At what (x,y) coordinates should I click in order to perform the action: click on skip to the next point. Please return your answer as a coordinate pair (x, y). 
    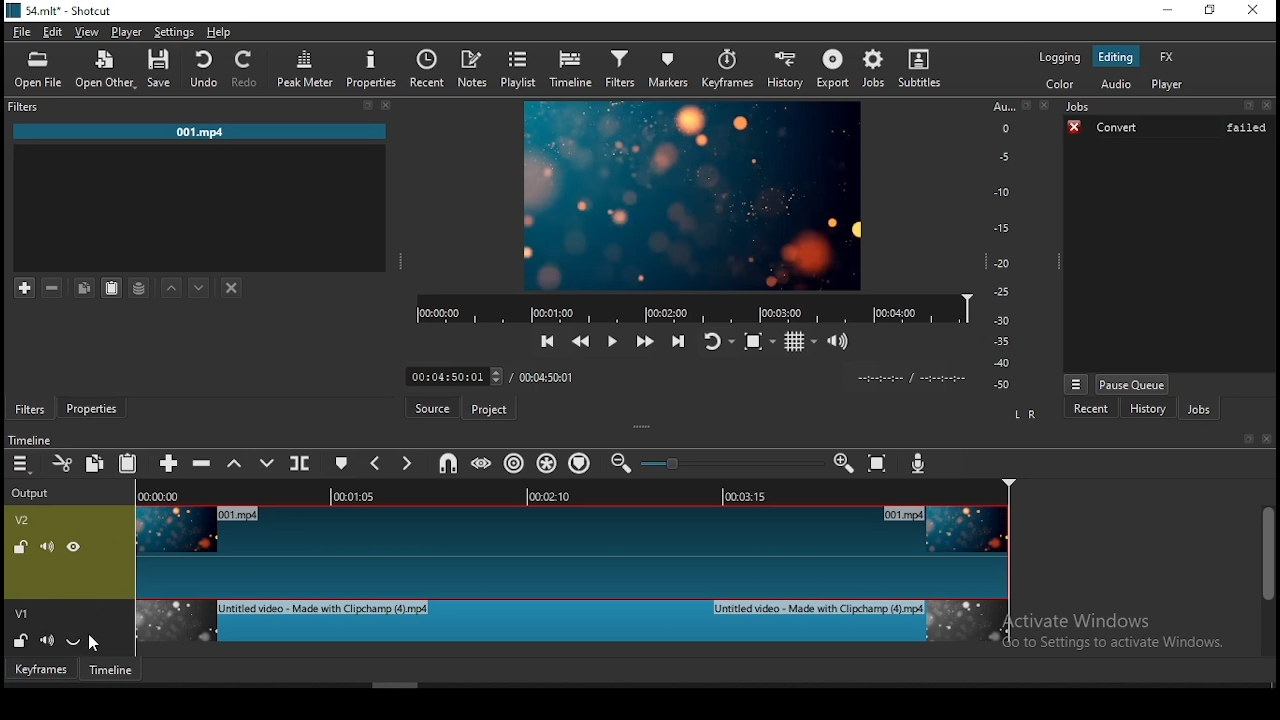
    Looking at the image, I should click on (679, 342).